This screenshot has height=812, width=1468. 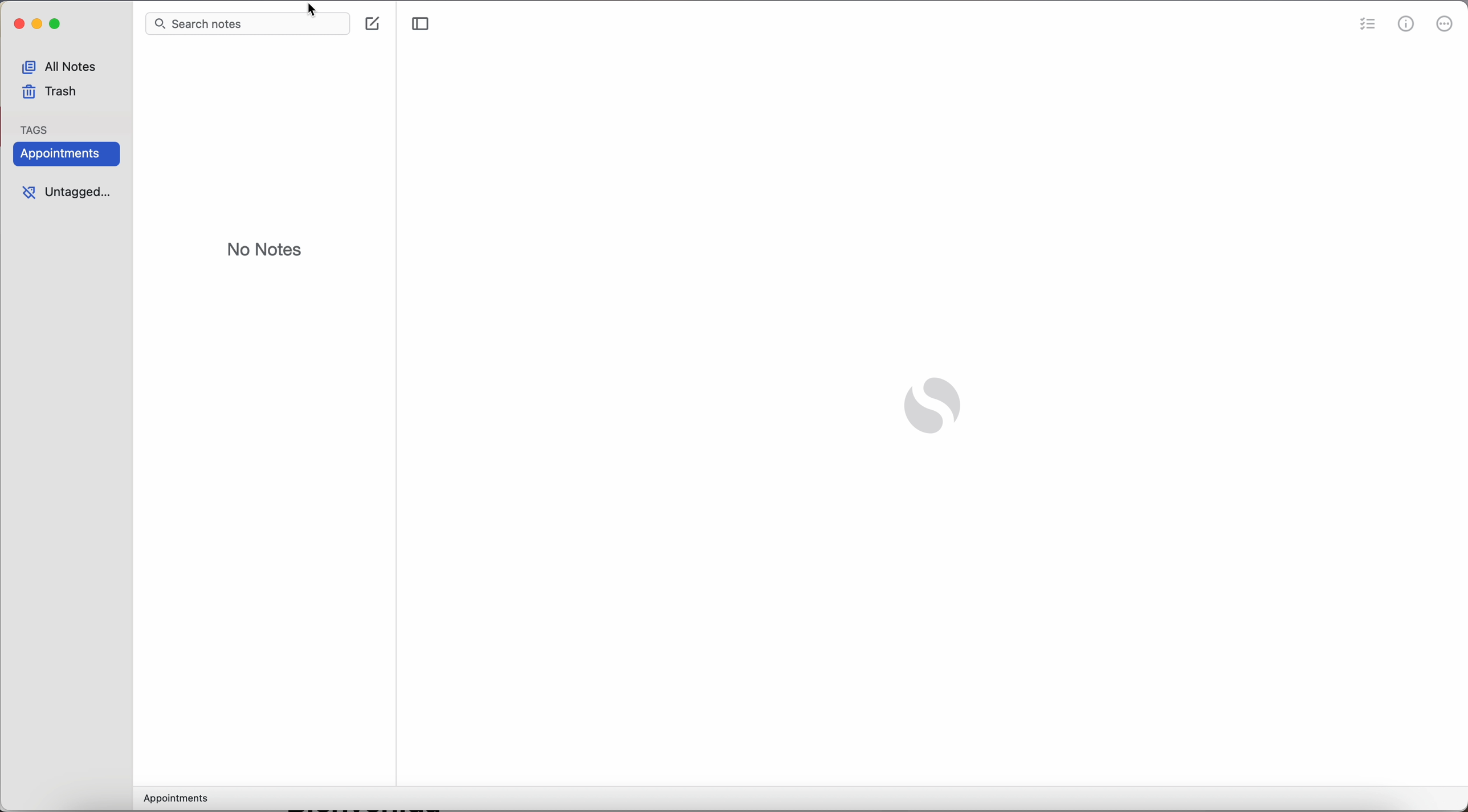 I want to click on new tag: appointments, so click(x=63, y=155).